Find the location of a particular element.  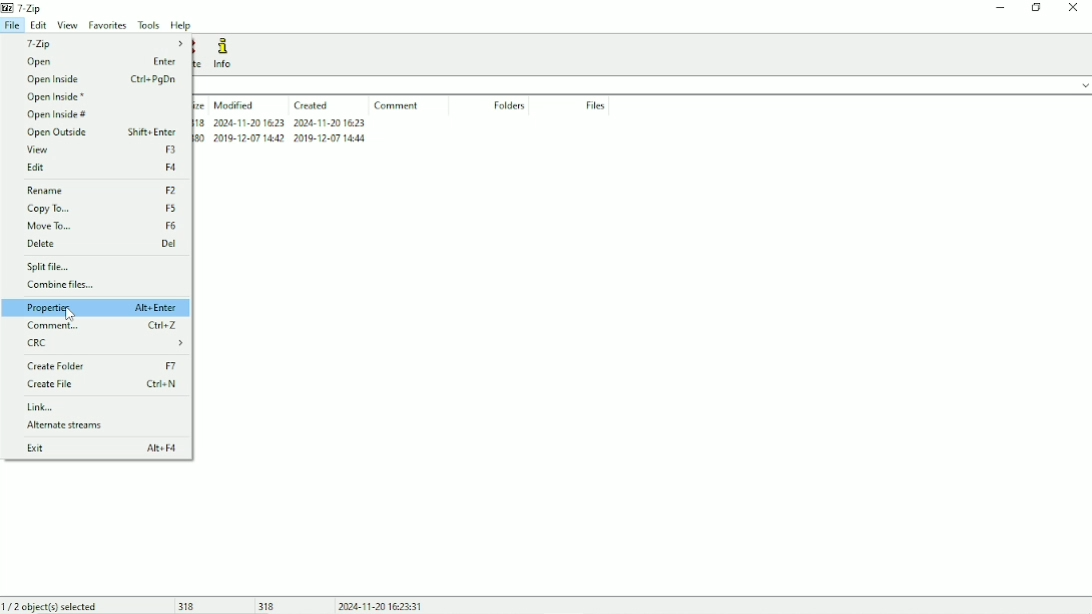

318 is located at coordinates (188, 605).